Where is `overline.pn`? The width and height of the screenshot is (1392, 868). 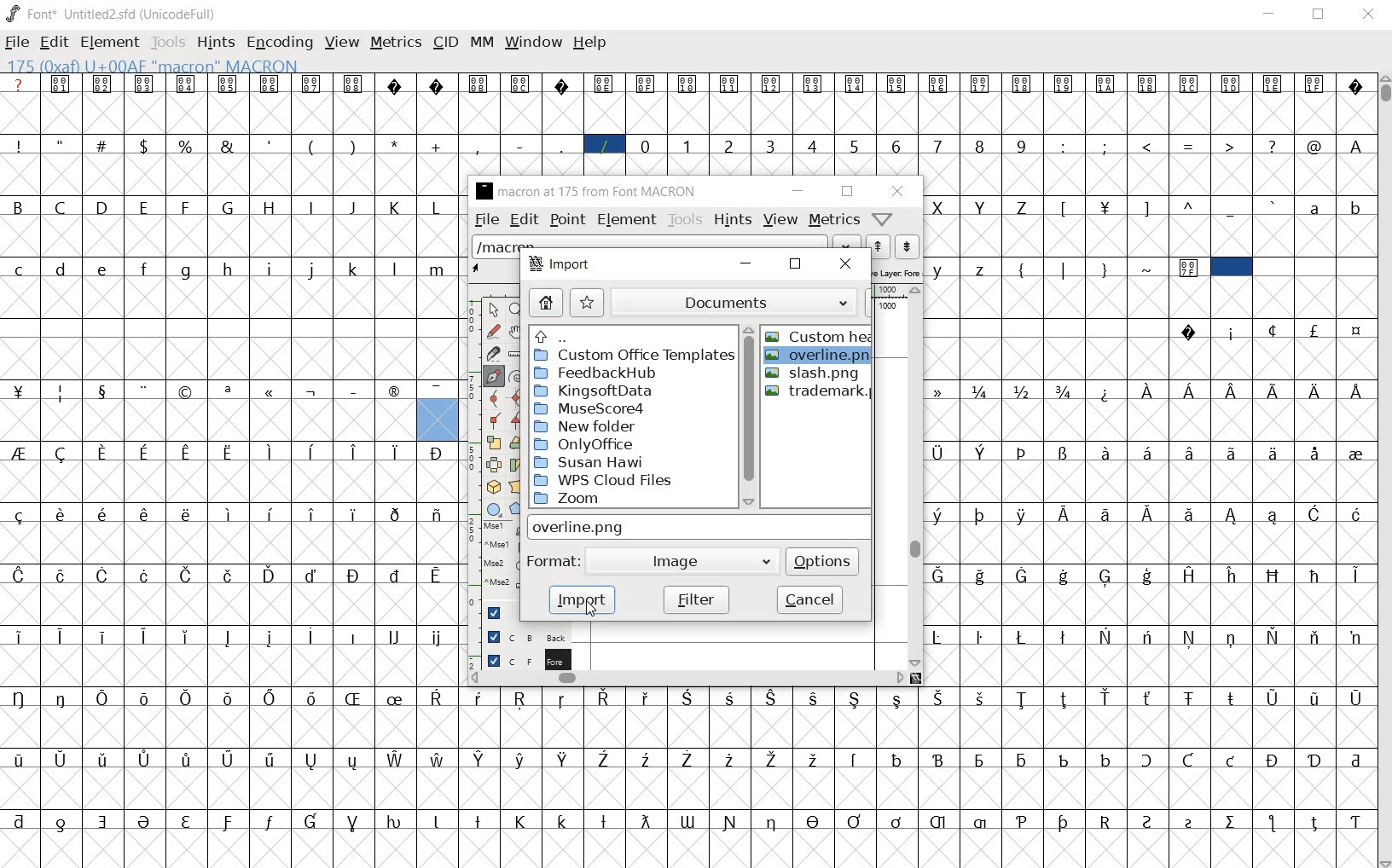 overline.pn is located at coordinates (820, 358).